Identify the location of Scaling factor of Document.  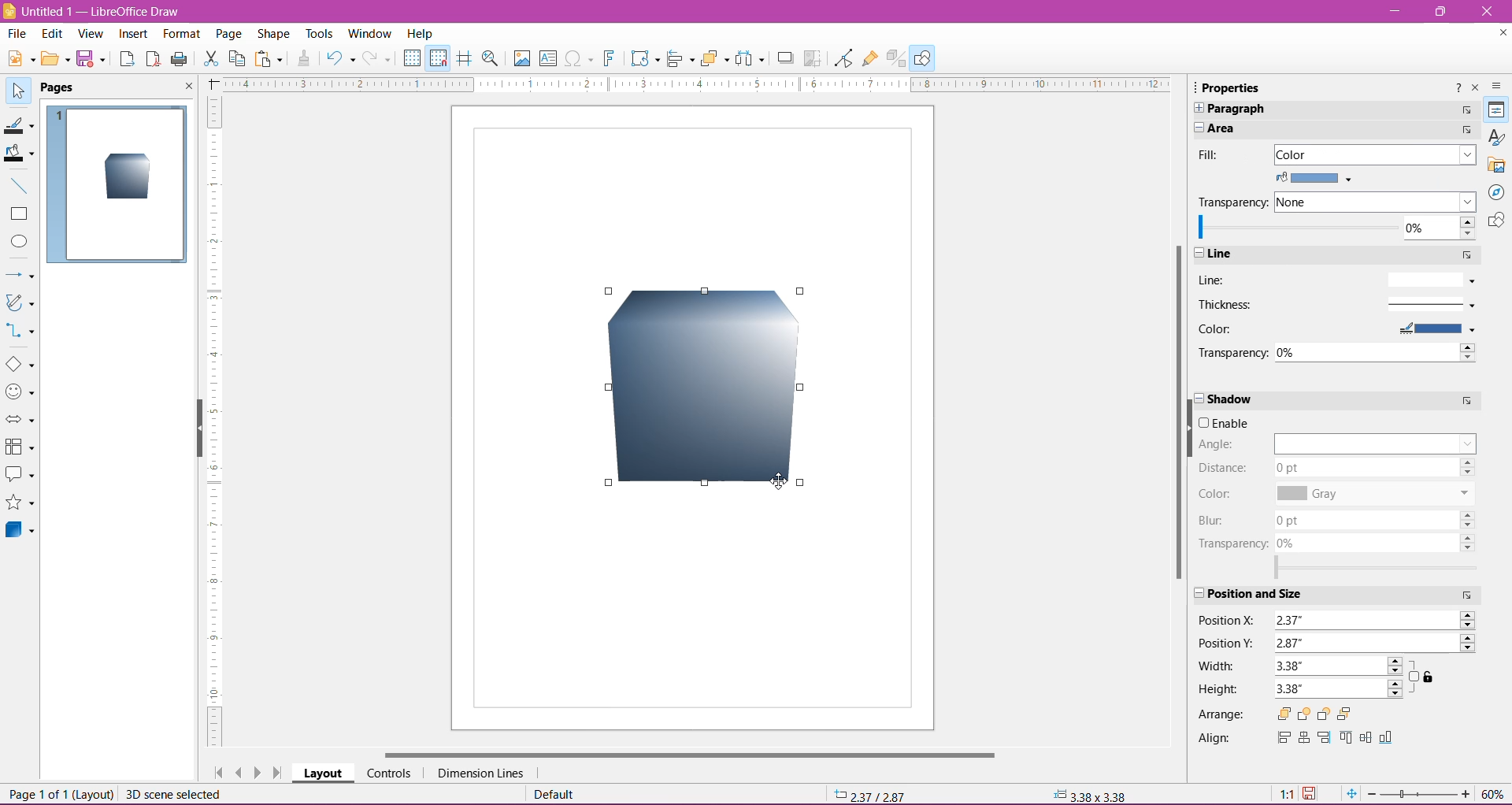
(1286, 795).